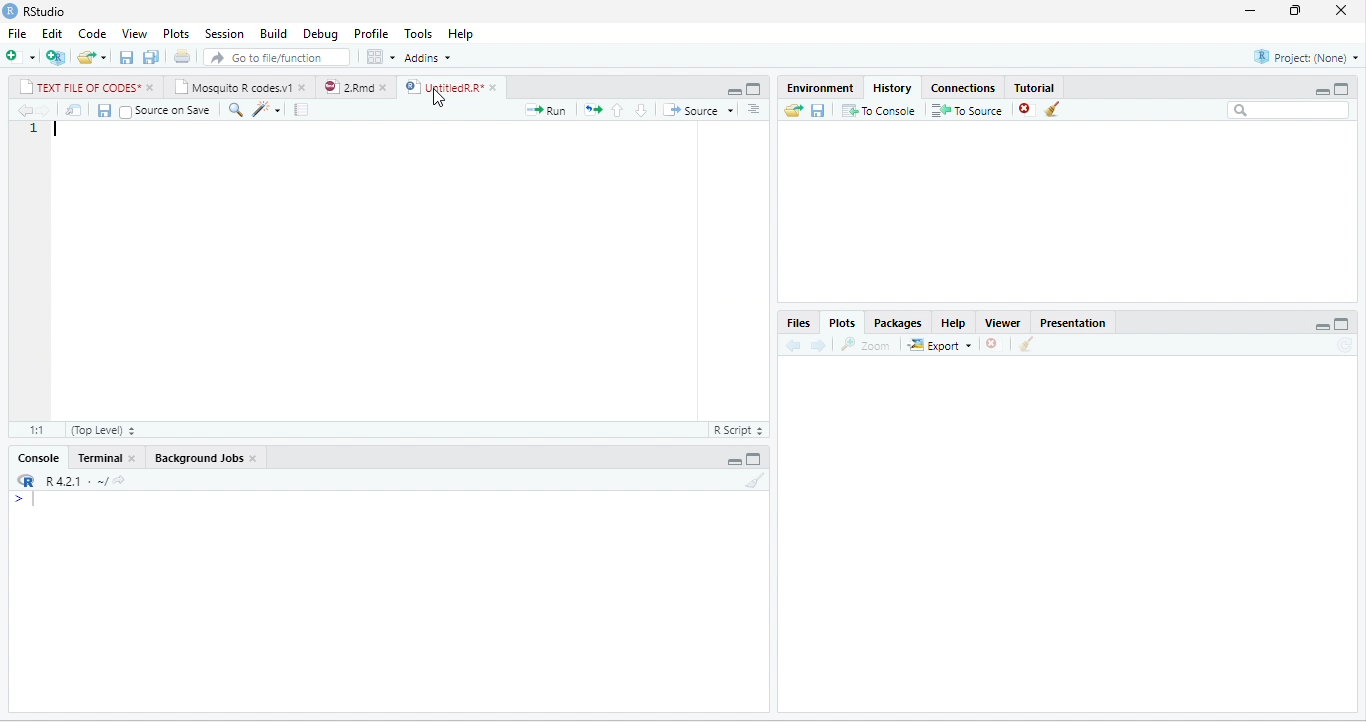  Describe the element at coordinates (92, 34) in the screenshot. I see `Code` at that location.